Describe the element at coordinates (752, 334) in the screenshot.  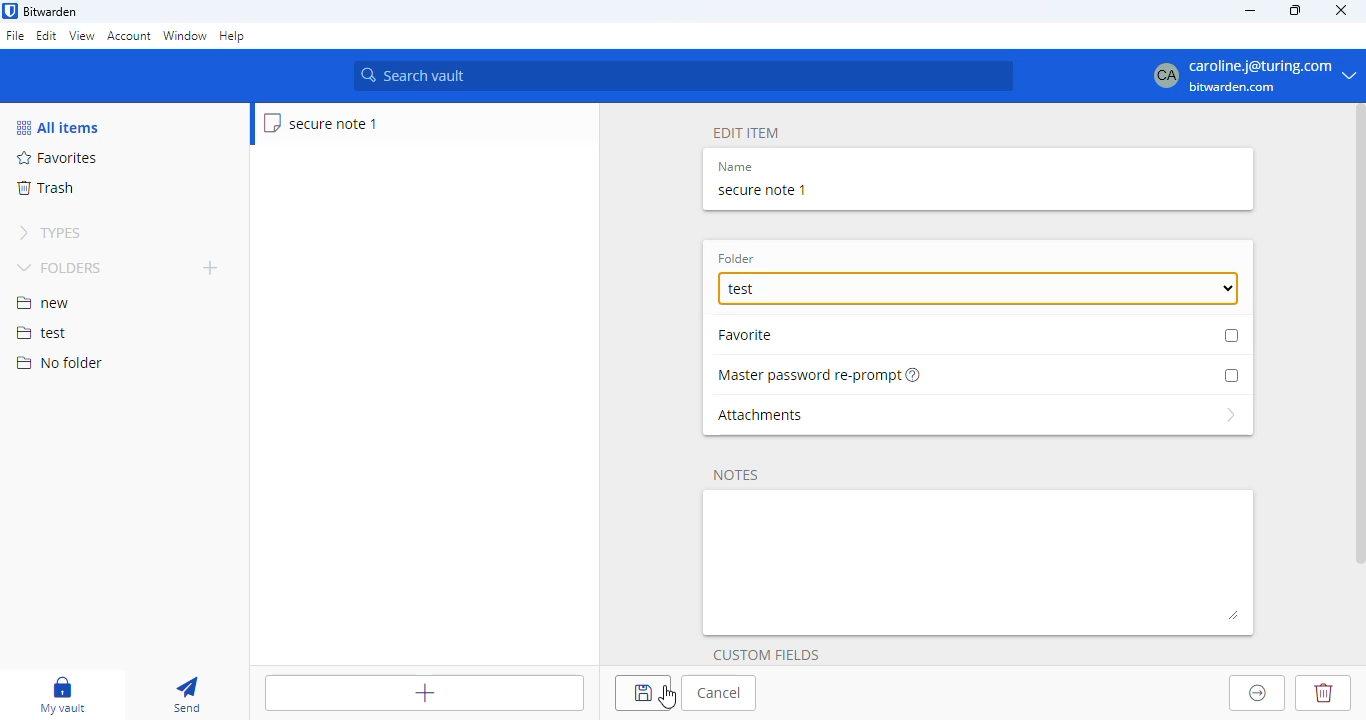
I see `favorite` at that location.